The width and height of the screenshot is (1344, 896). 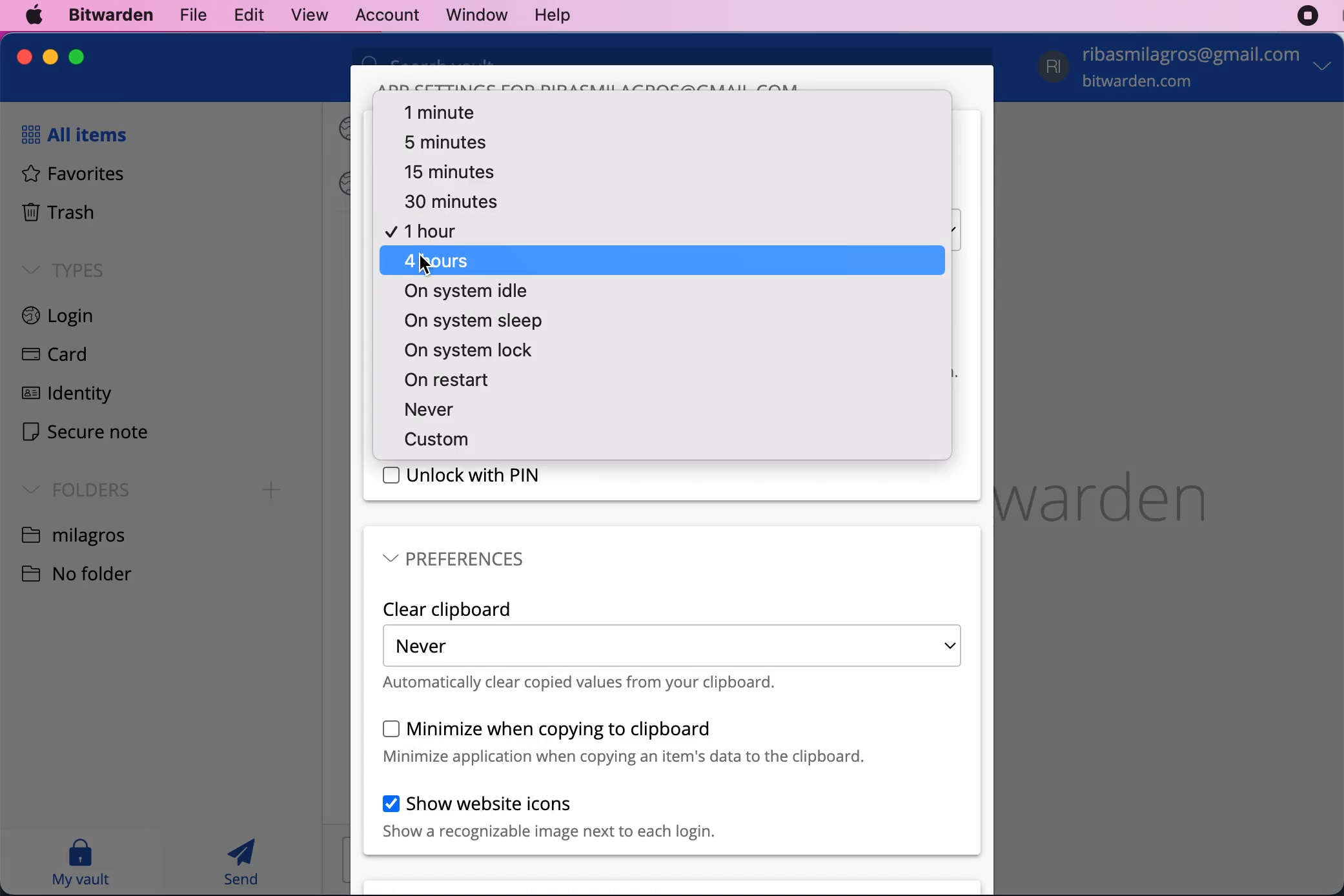 I want to click on custom, so click(x=433, y=439).